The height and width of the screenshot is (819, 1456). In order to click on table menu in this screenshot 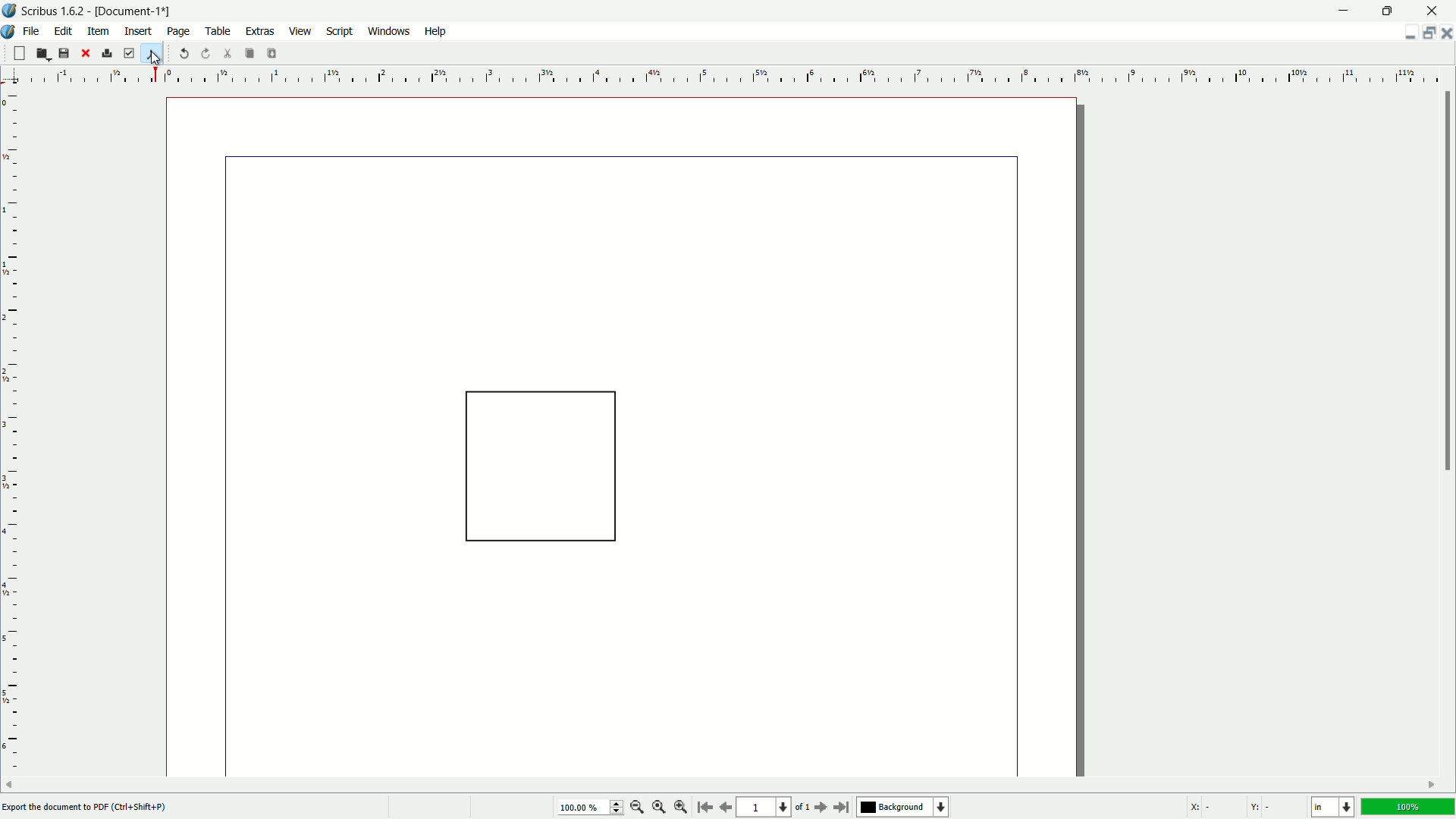, I will do `click(217, 32)`.